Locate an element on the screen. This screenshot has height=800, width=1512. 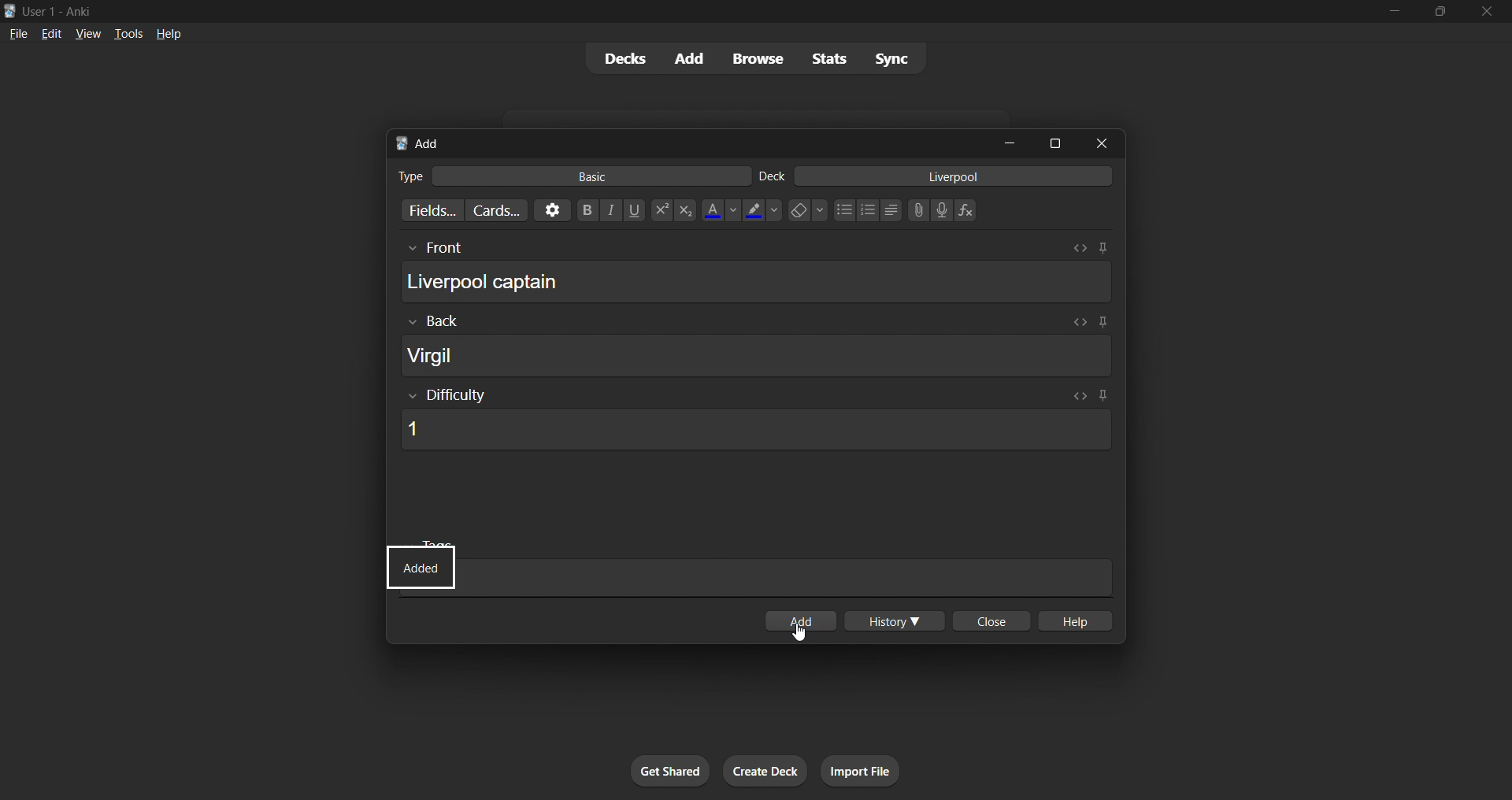
card front field input box is located at coordinates (756, 281).